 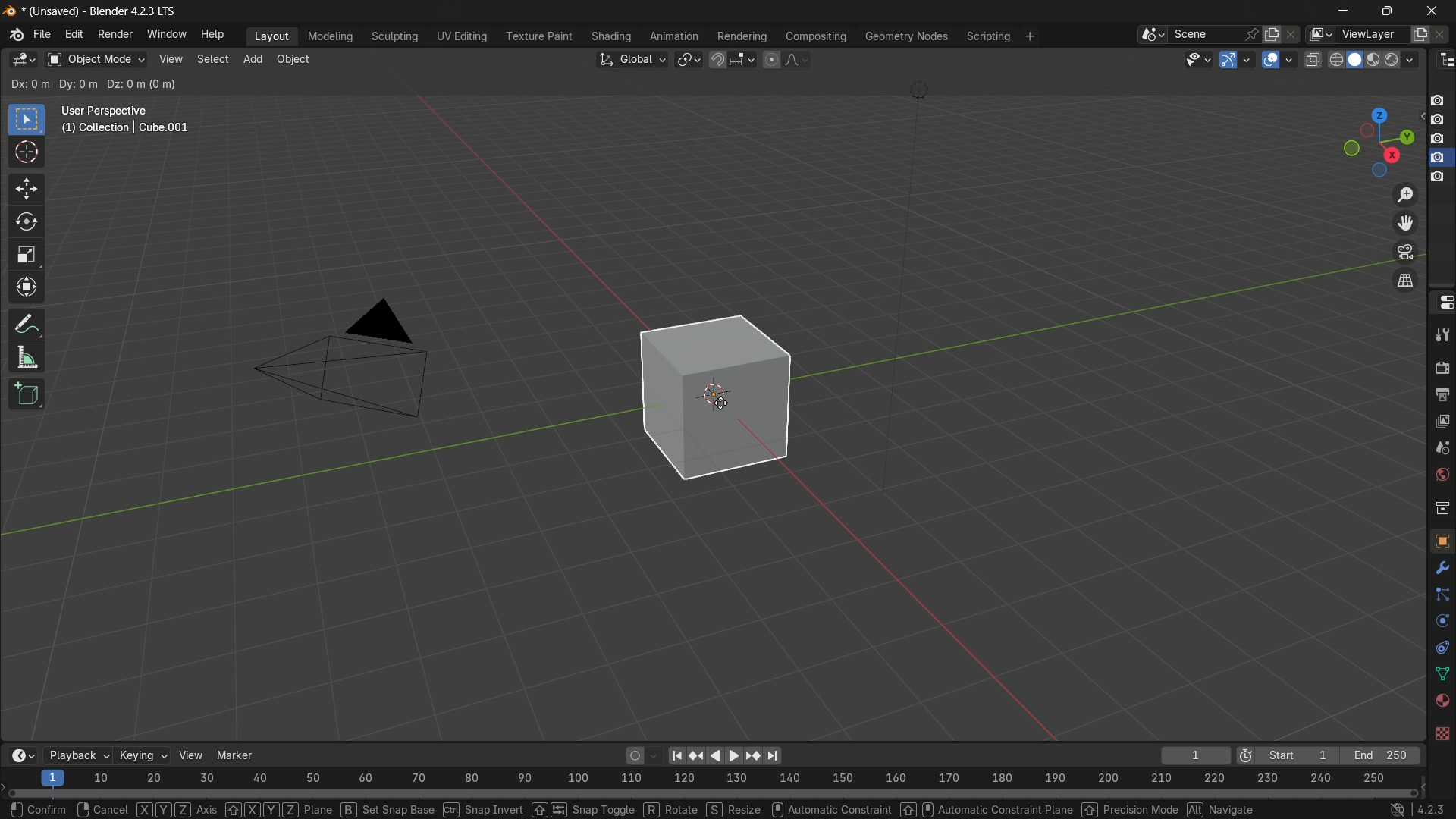 What do you see at coordinates (1442, 446) in the screenshot?
I see `scene` at bounding box center [1442, 446].